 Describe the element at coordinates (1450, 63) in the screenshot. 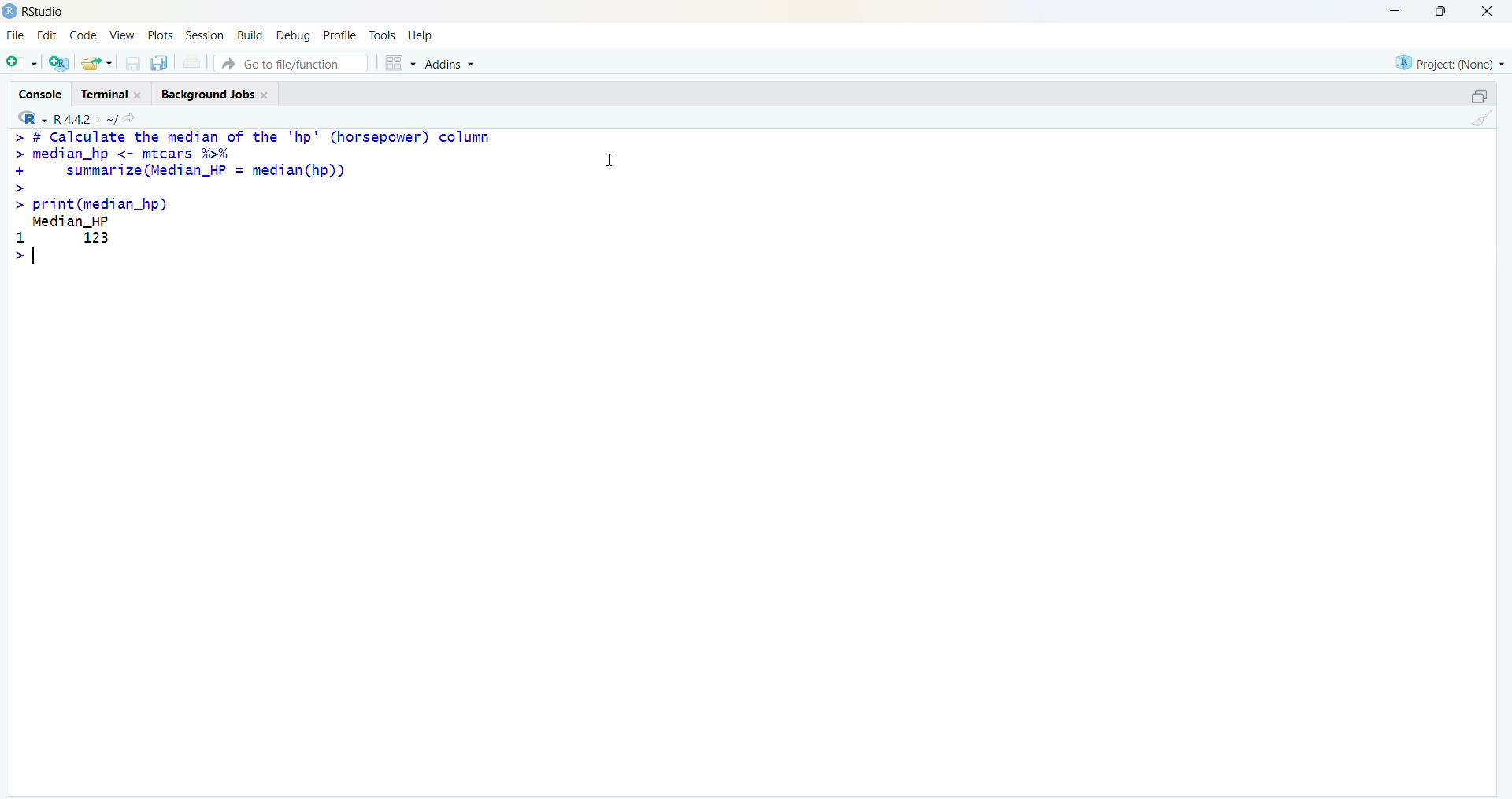

I see `Project: (None)` at that location.